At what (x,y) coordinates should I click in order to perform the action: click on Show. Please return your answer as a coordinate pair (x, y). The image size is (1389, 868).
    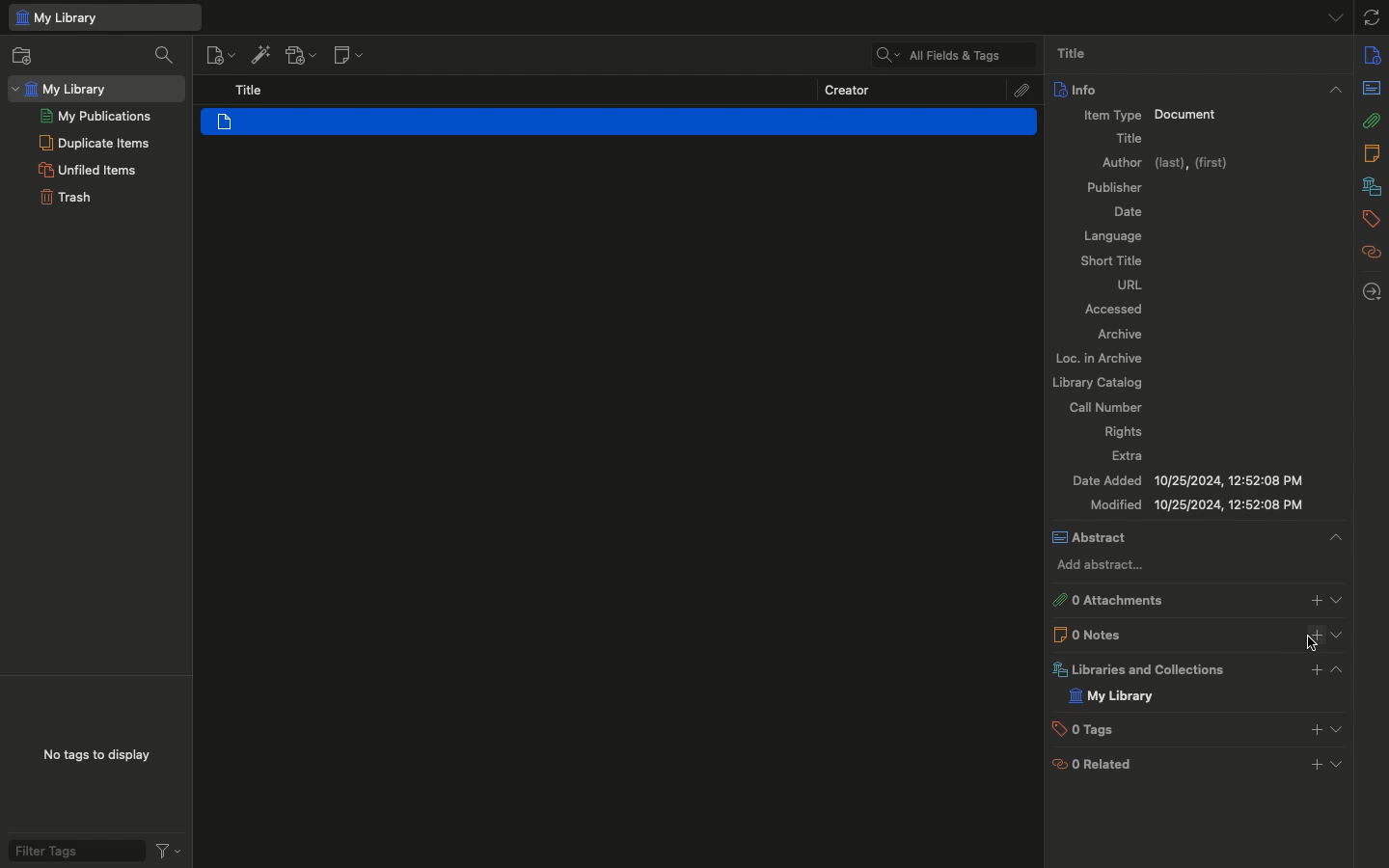
    Looking at the image, I should click on (1339, 726).